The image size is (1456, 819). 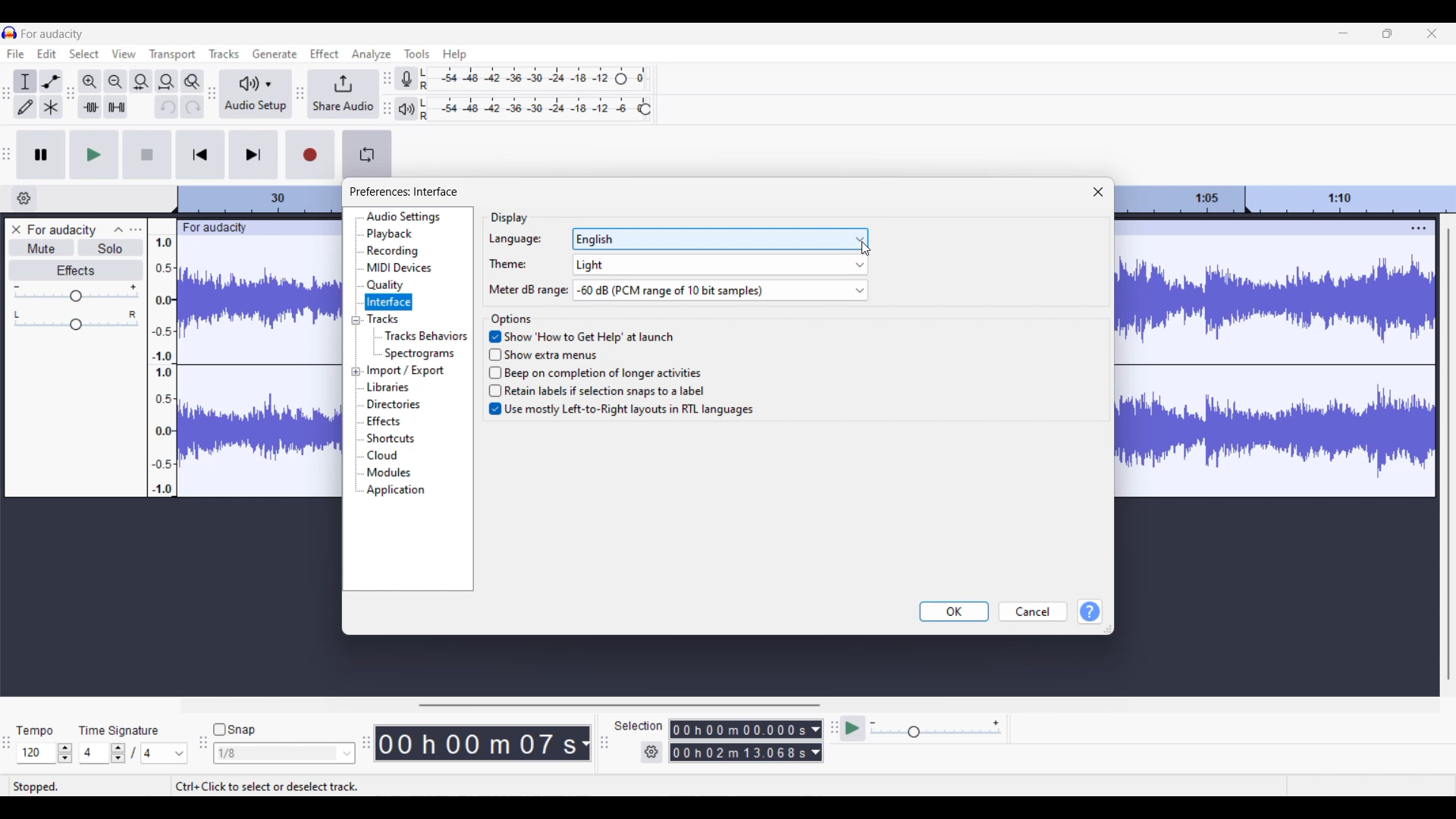 What do you see at coordinates (621, 79) in the screenshot?
I see `Recording level header` at bounding box center [621, 79].